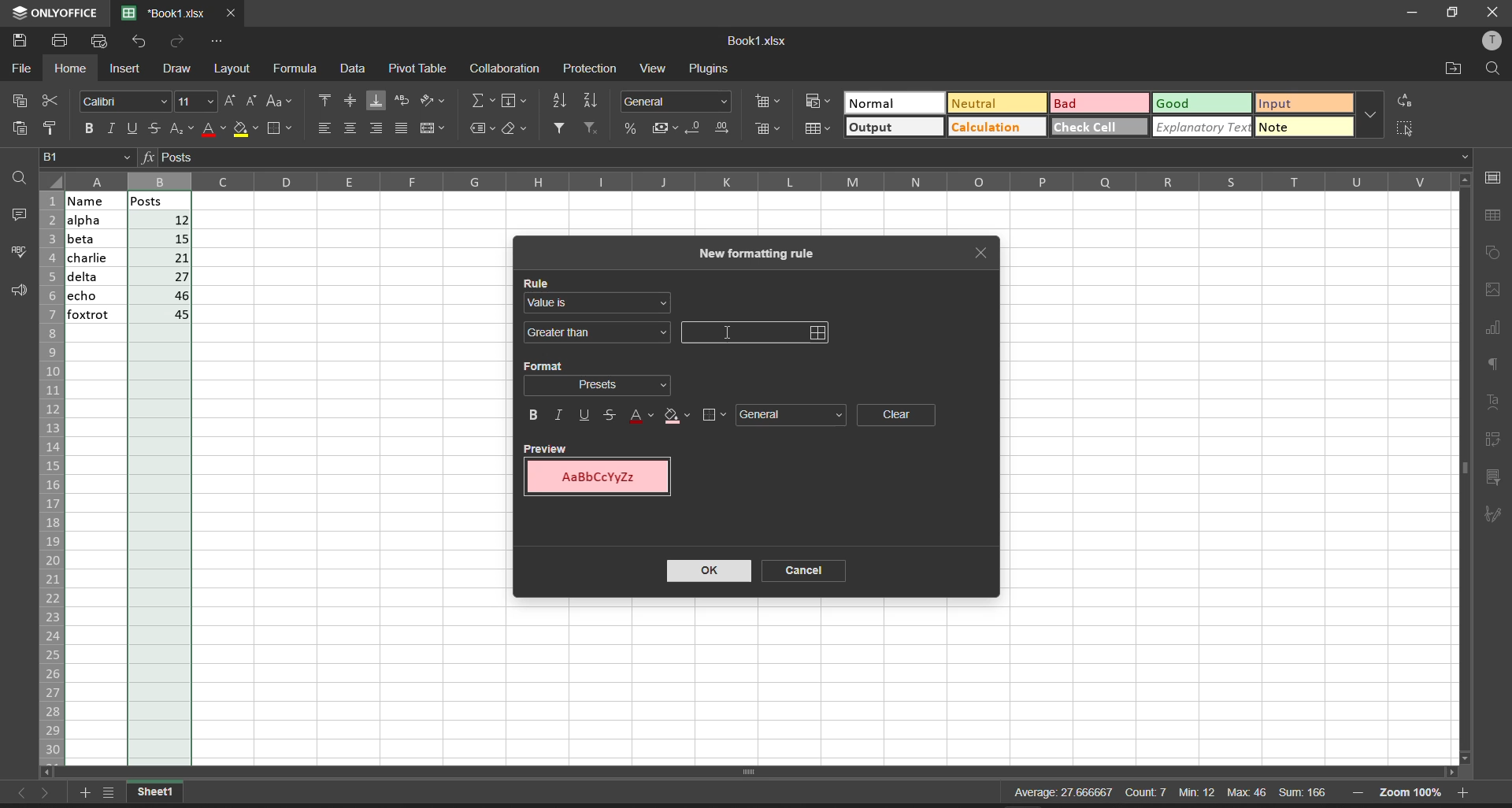  Describe the element at coordinates (1278, 127) in the screenshot. I see `note` at that location.